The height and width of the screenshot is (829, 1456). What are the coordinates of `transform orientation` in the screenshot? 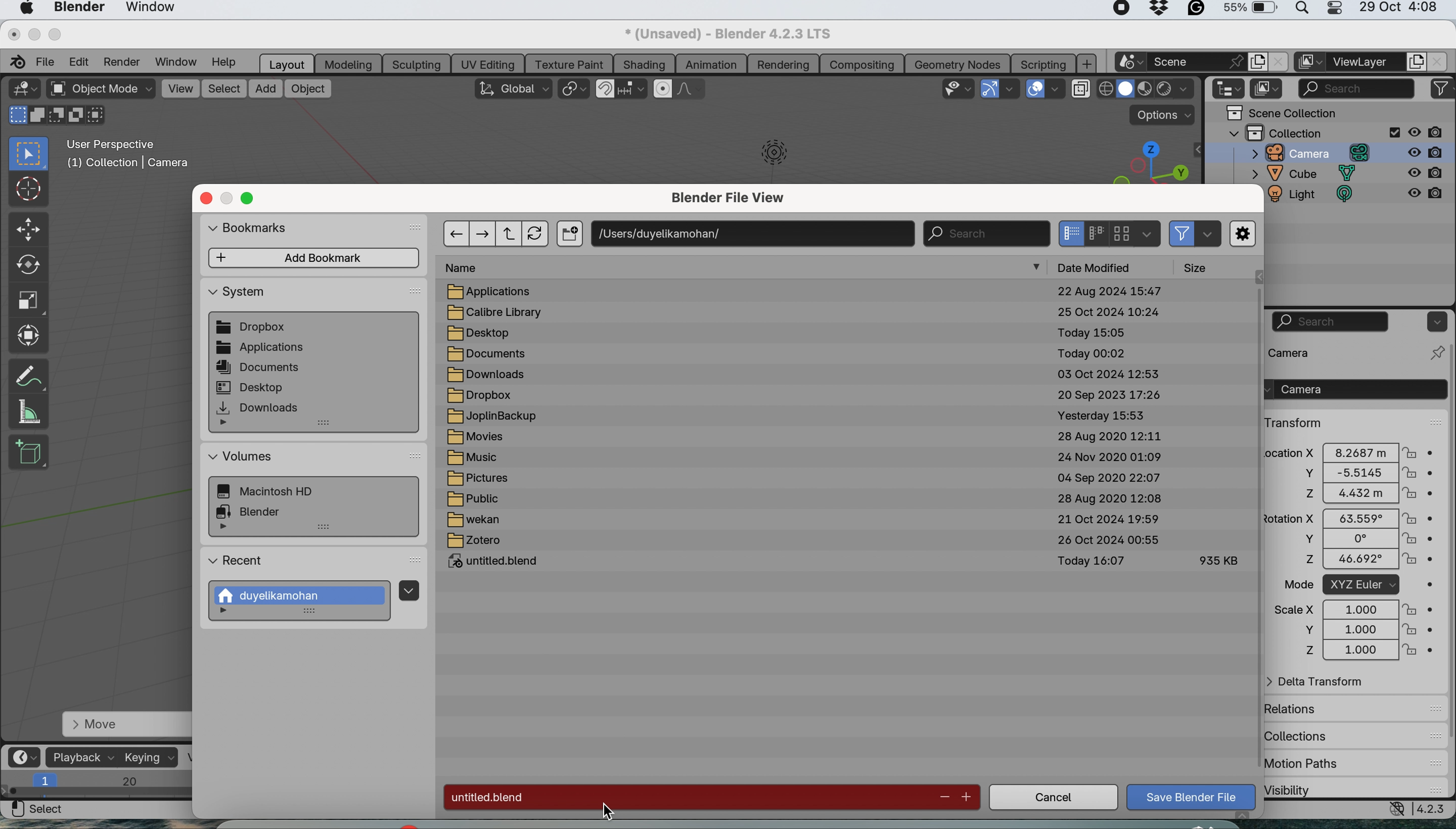 It's located at (513, 88).